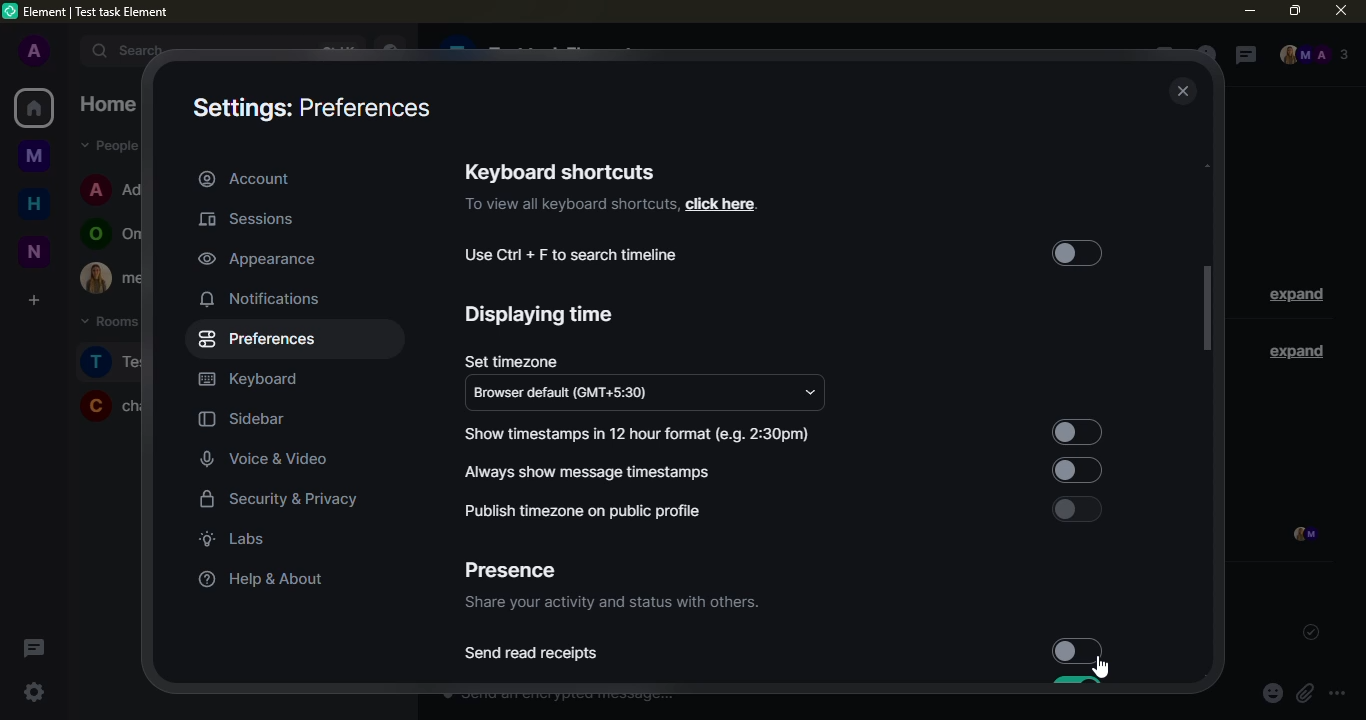 The height and width of the screenshot is (720, 1366). What do you see at coordinates (258, 258) in the screenshot?
I see `appearance` at bounding box center [258, 258].